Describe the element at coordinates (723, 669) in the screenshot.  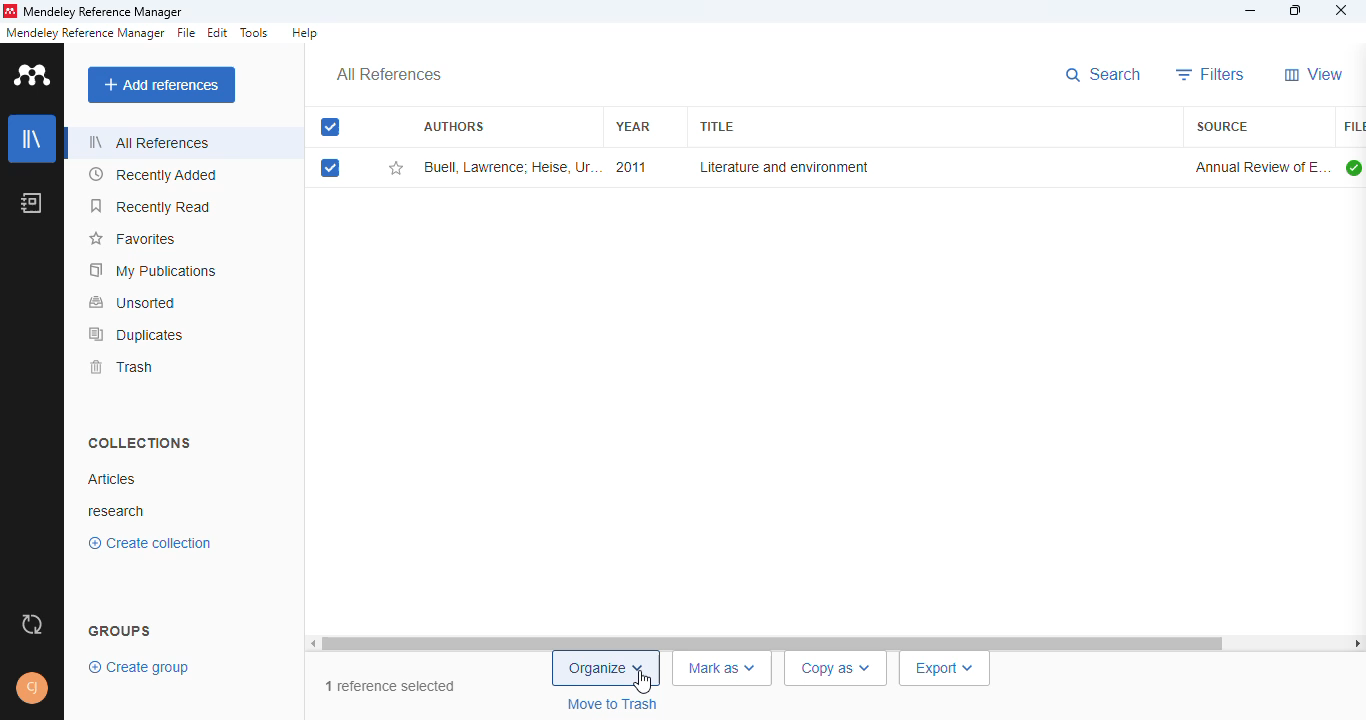
I see `mark as` at that location.